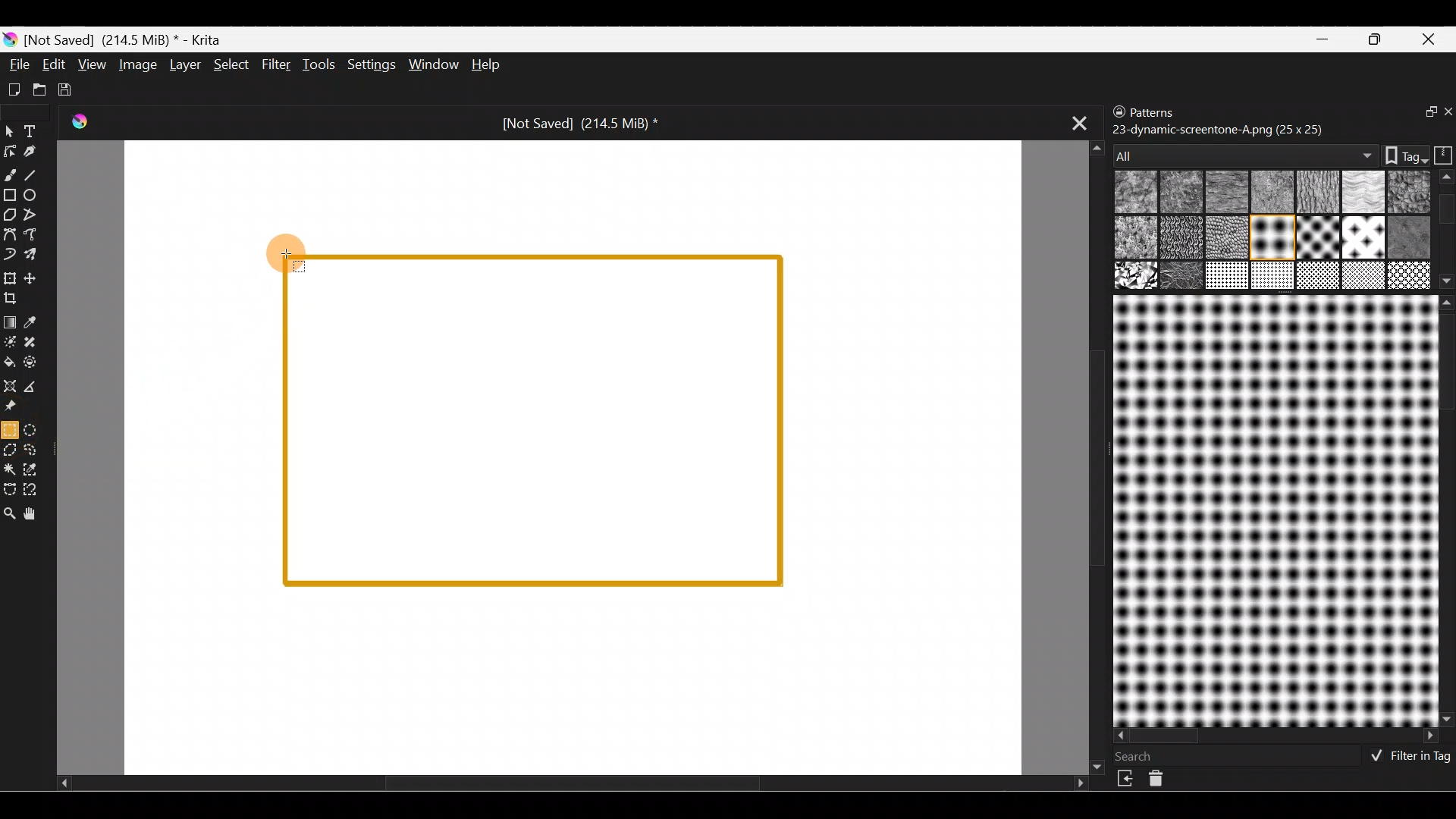 The image size is (1456, 819). I want to click on Select shapes, so click(9, 132).